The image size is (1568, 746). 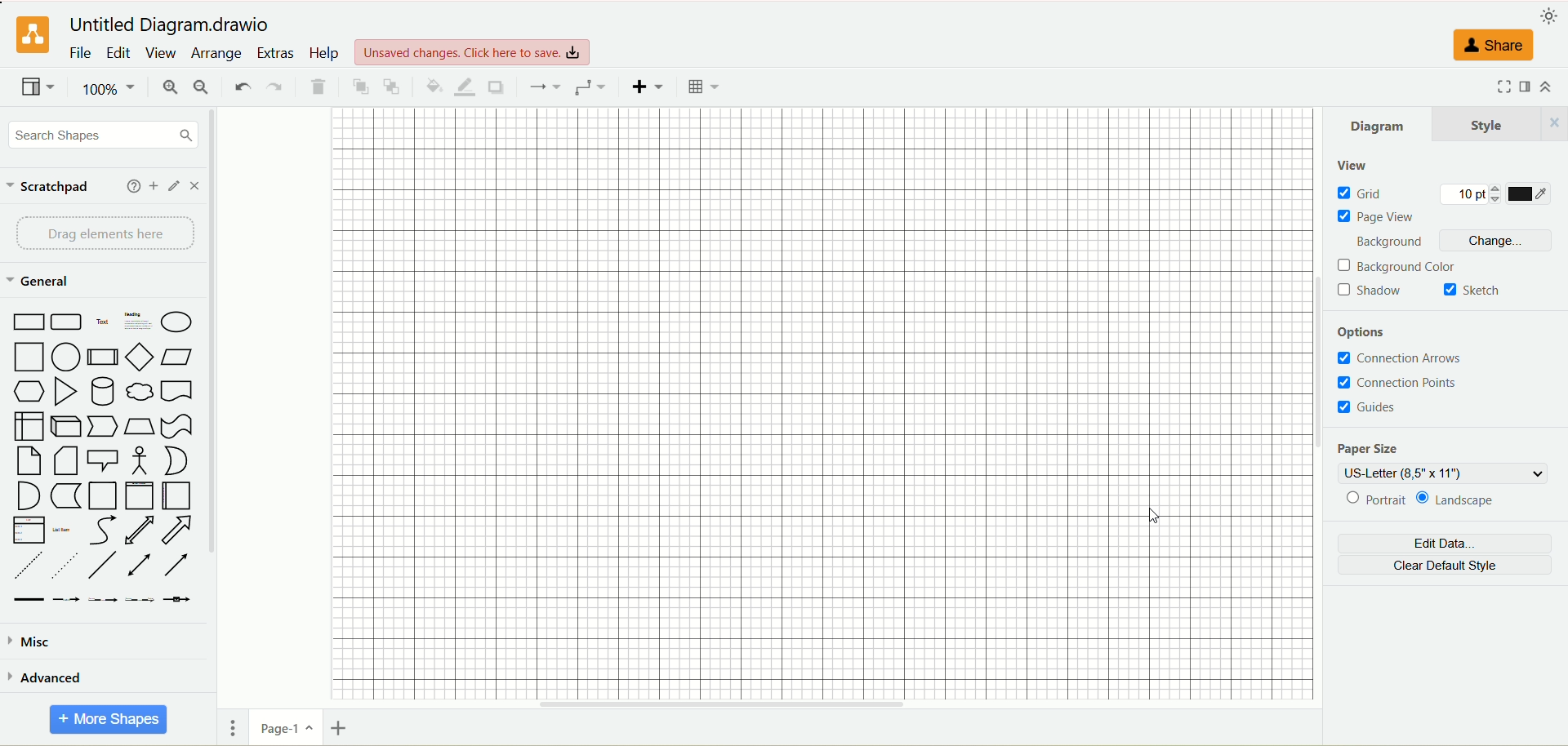 What do you see at coordinates (202, 86) in the screenshot?
I see `zoom out` at bounding box center [202, 86].